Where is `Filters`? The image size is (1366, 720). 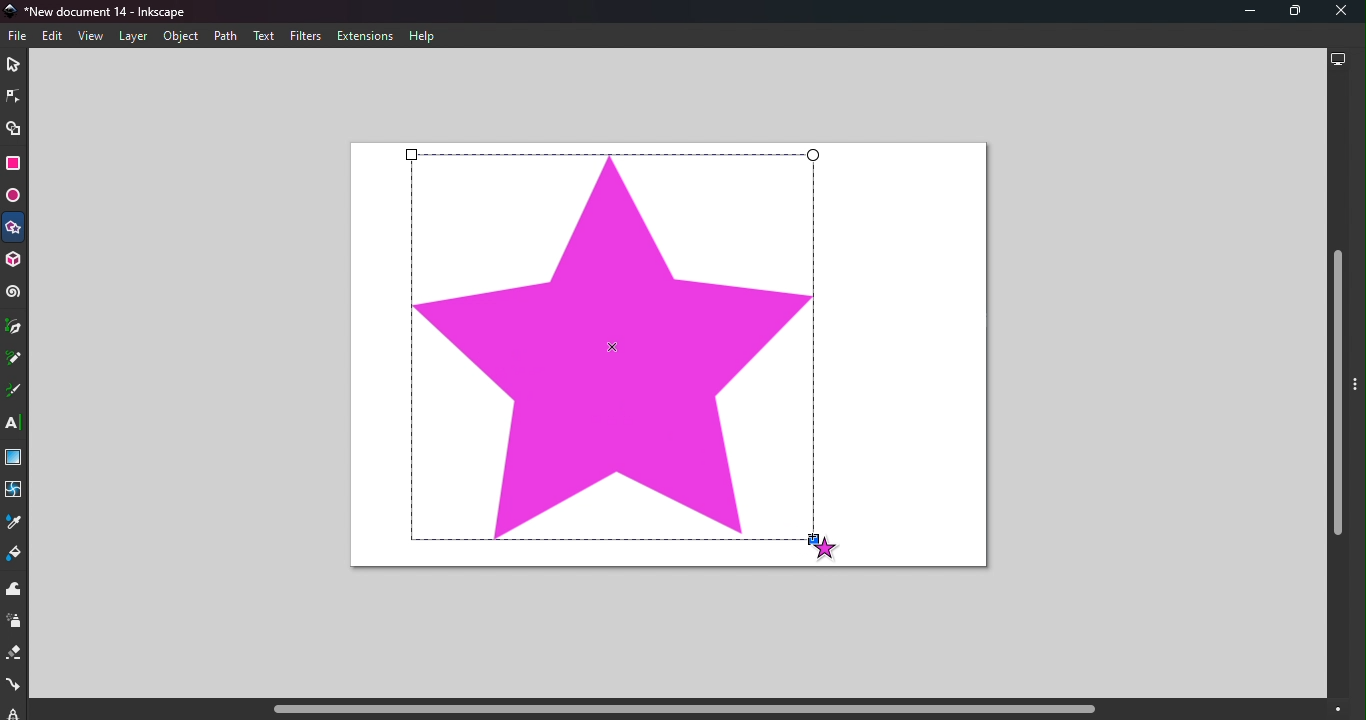 Filters is located at coordinates (306, 36).